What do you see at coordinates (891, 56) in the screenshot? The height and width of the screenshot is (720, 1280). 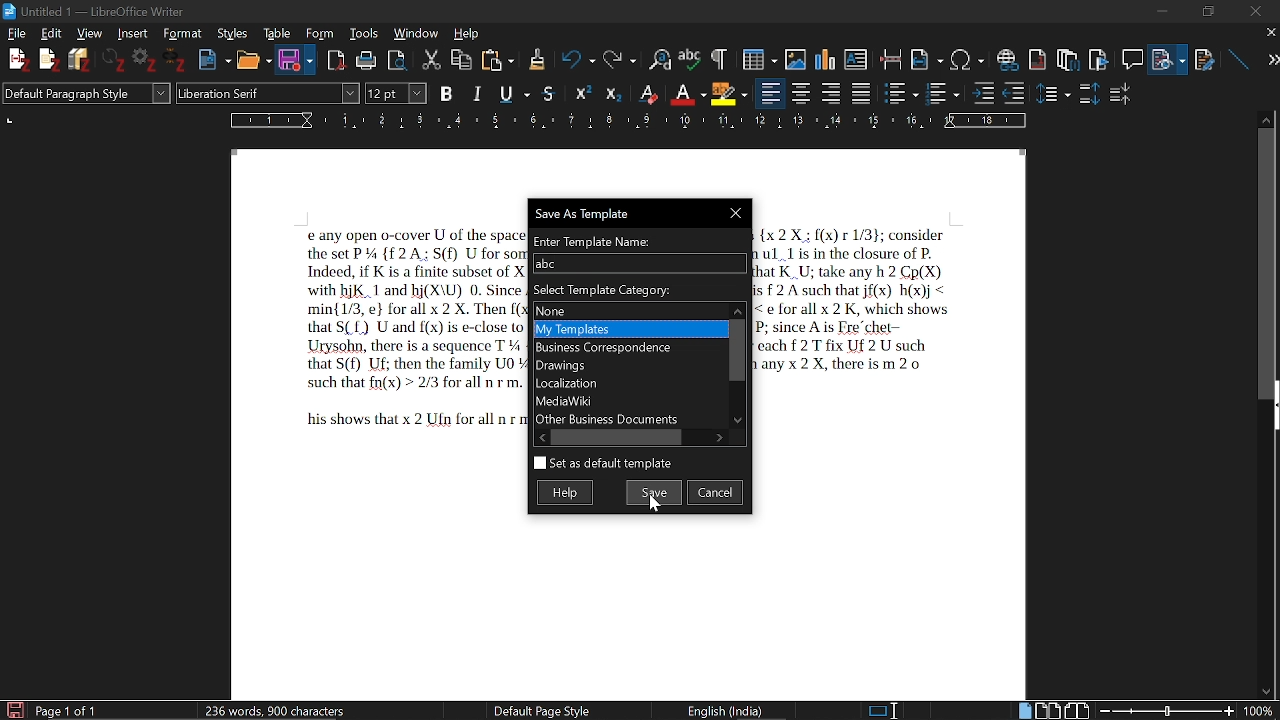 I see `Insert page break` at bounding box center [891, 56].